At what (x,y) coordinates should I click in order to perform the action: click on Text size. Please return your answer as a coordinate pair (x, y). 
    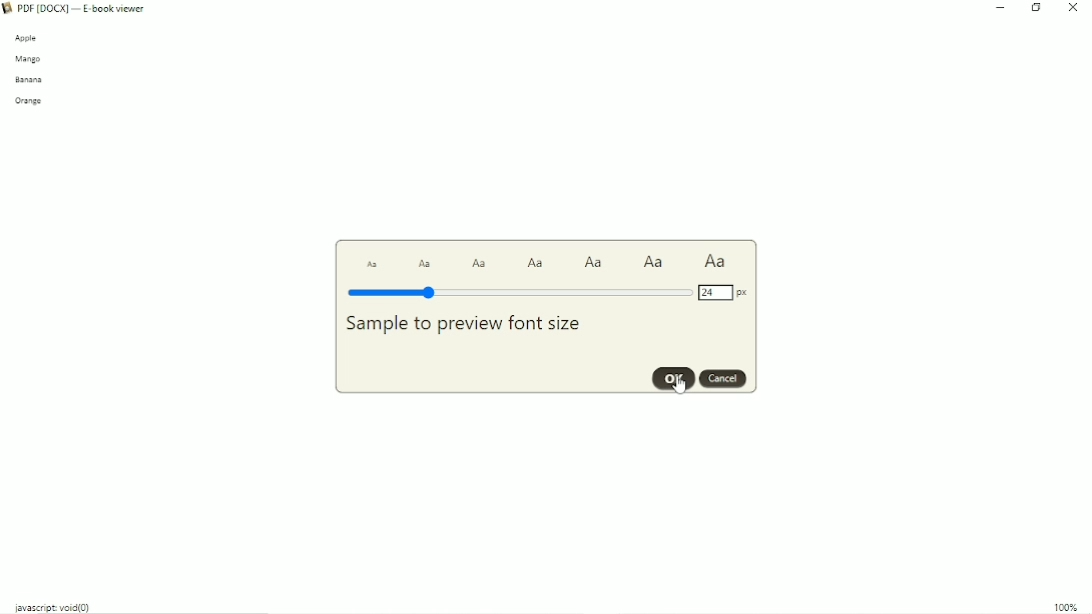
    Looking at the image, I should click on (715, 261).